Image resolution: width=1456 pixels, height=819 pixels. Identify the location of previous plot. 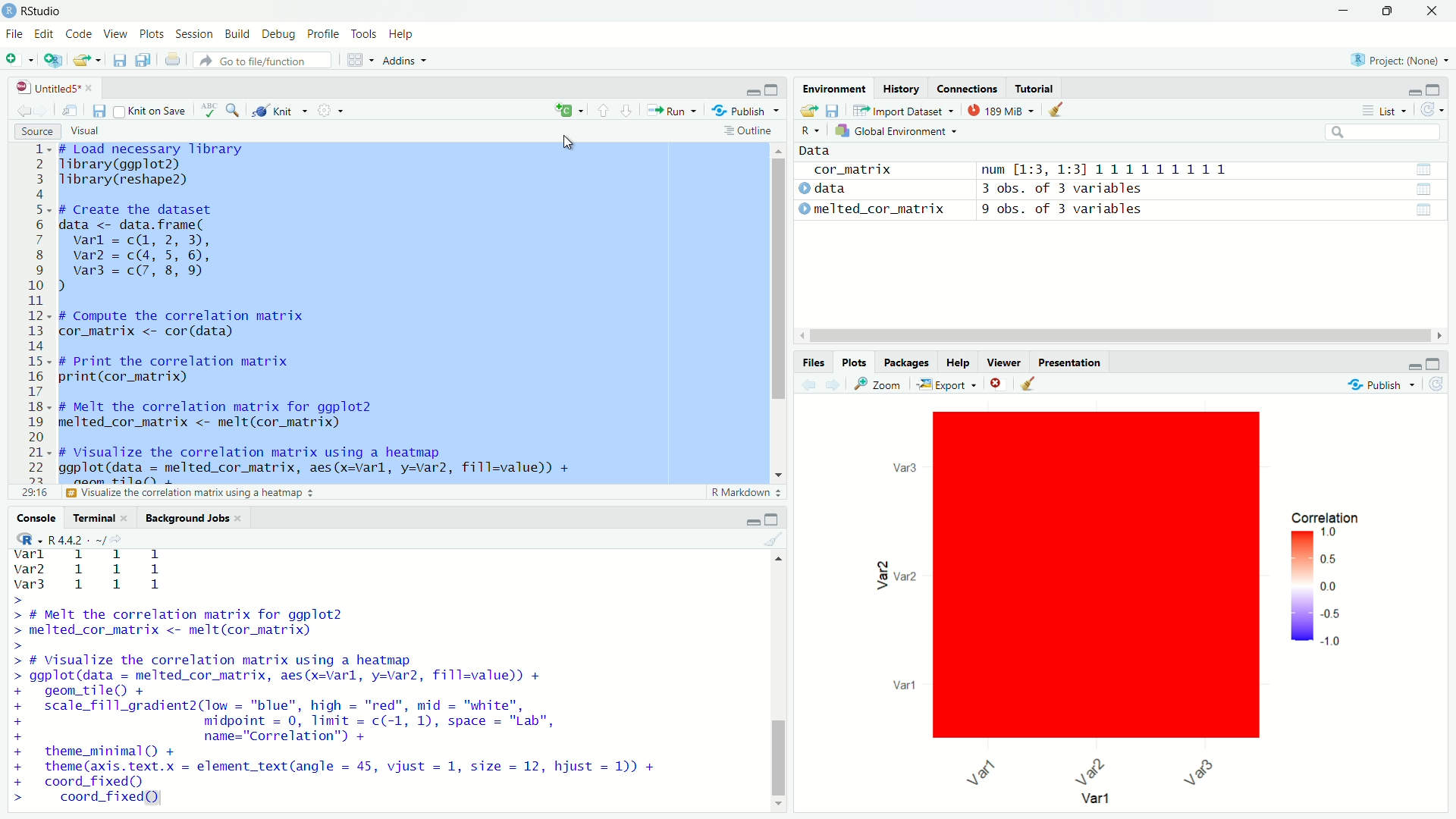
(807, 384).